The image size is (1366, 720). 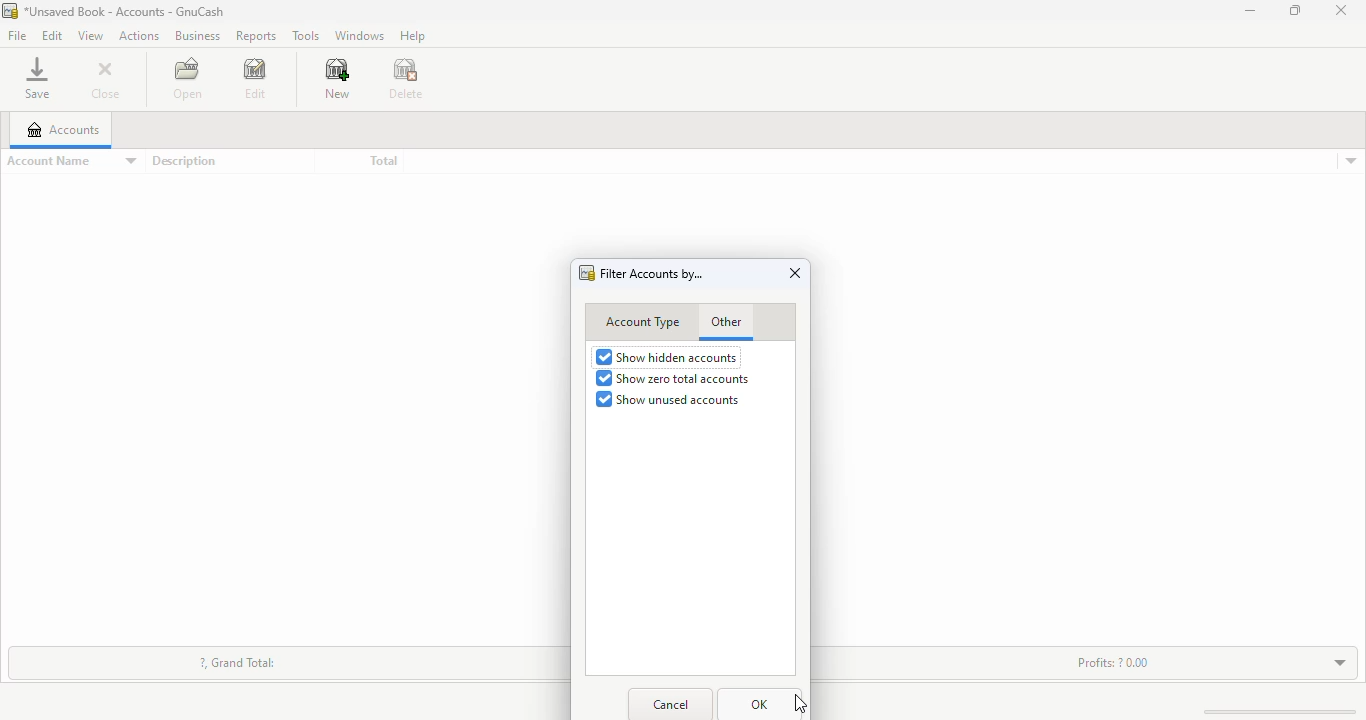 What do you see at coordinates (1113, 662) in the screenshot?
I see `Profits: ?0.00` at bounding box center [1113, 662].